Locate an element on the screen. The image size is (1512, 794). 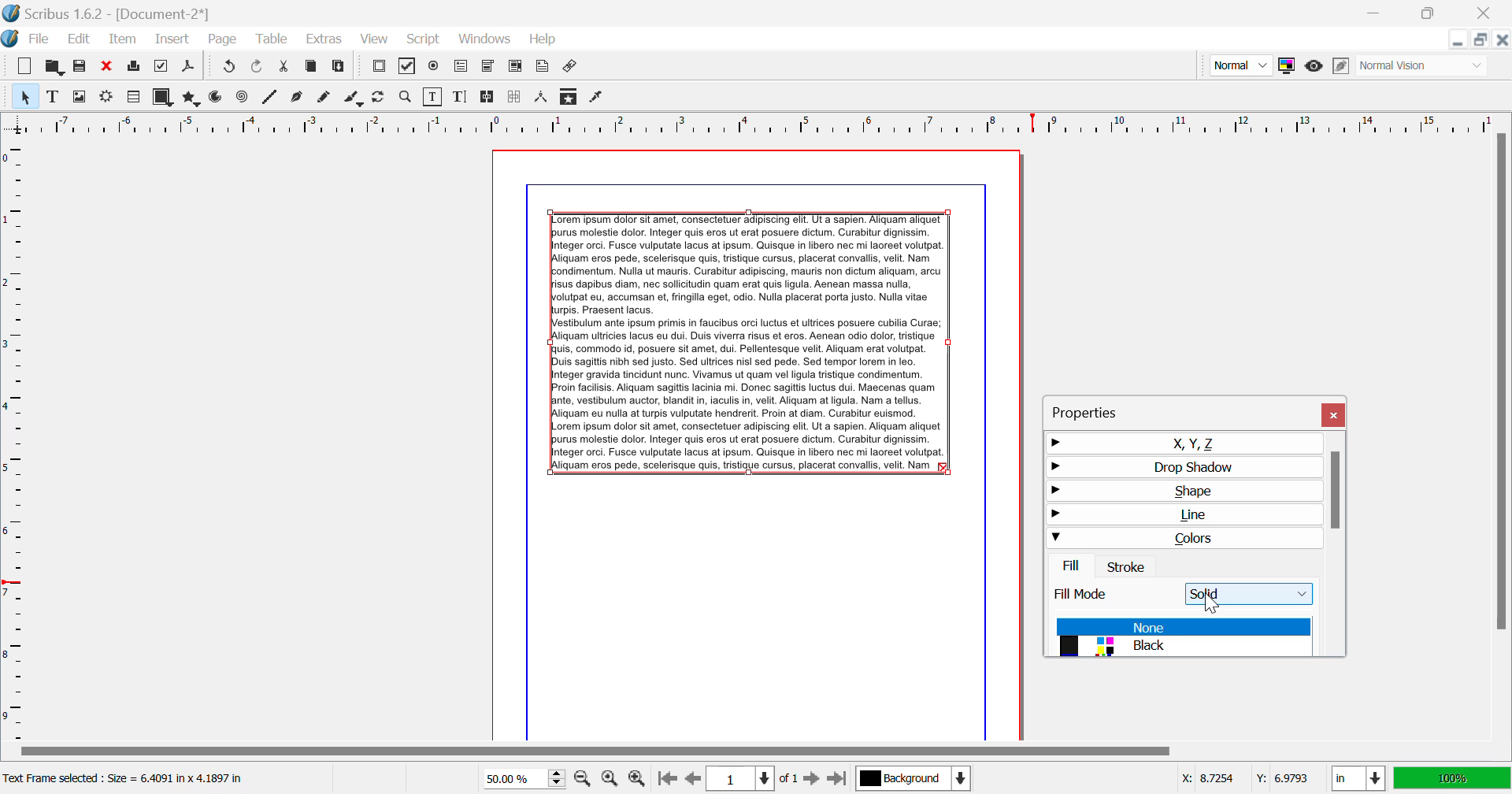
Freehand is located at coordinates (326, 98).